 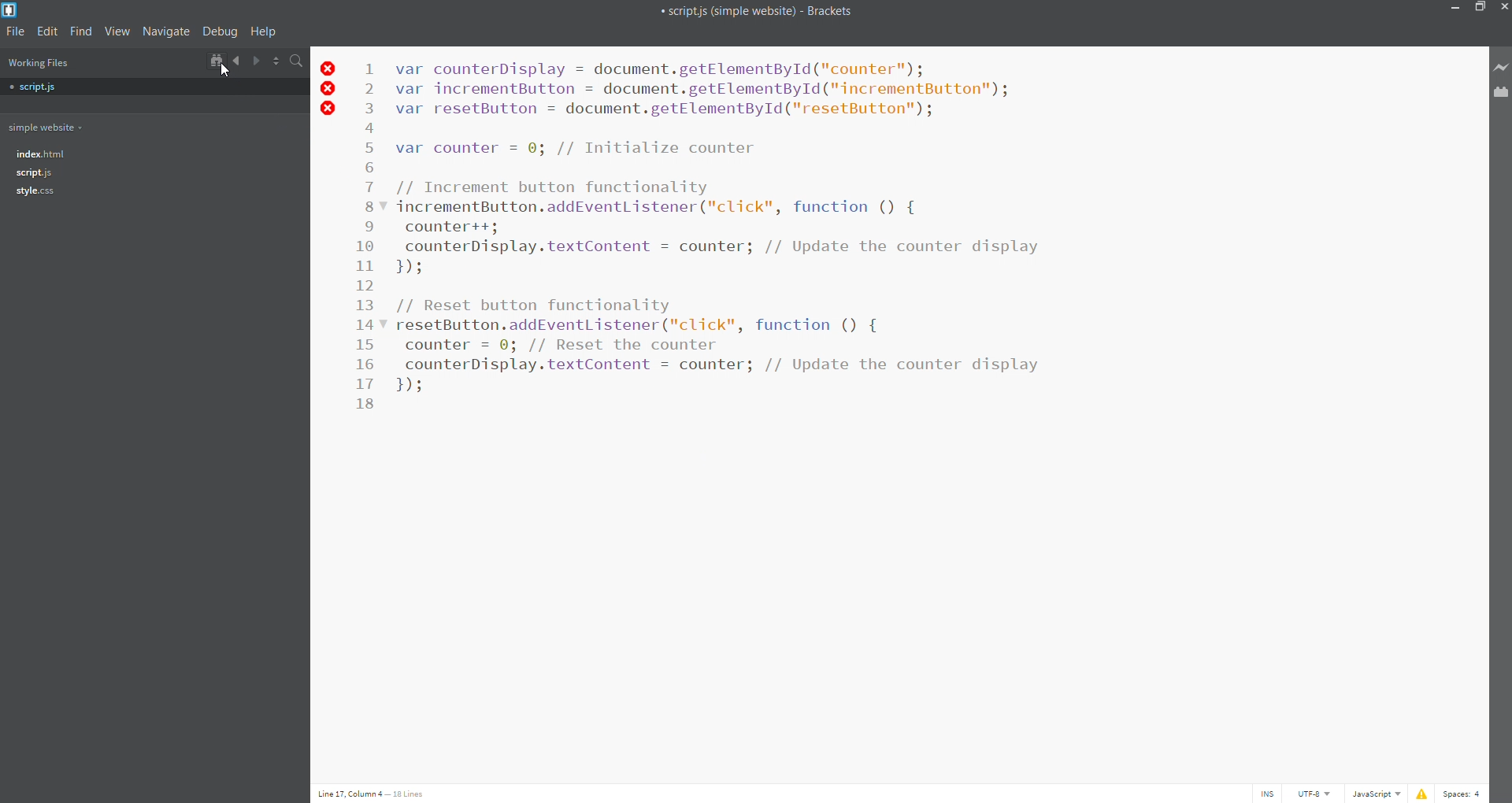 I want to click on script.js, so click(x=33, y=172).